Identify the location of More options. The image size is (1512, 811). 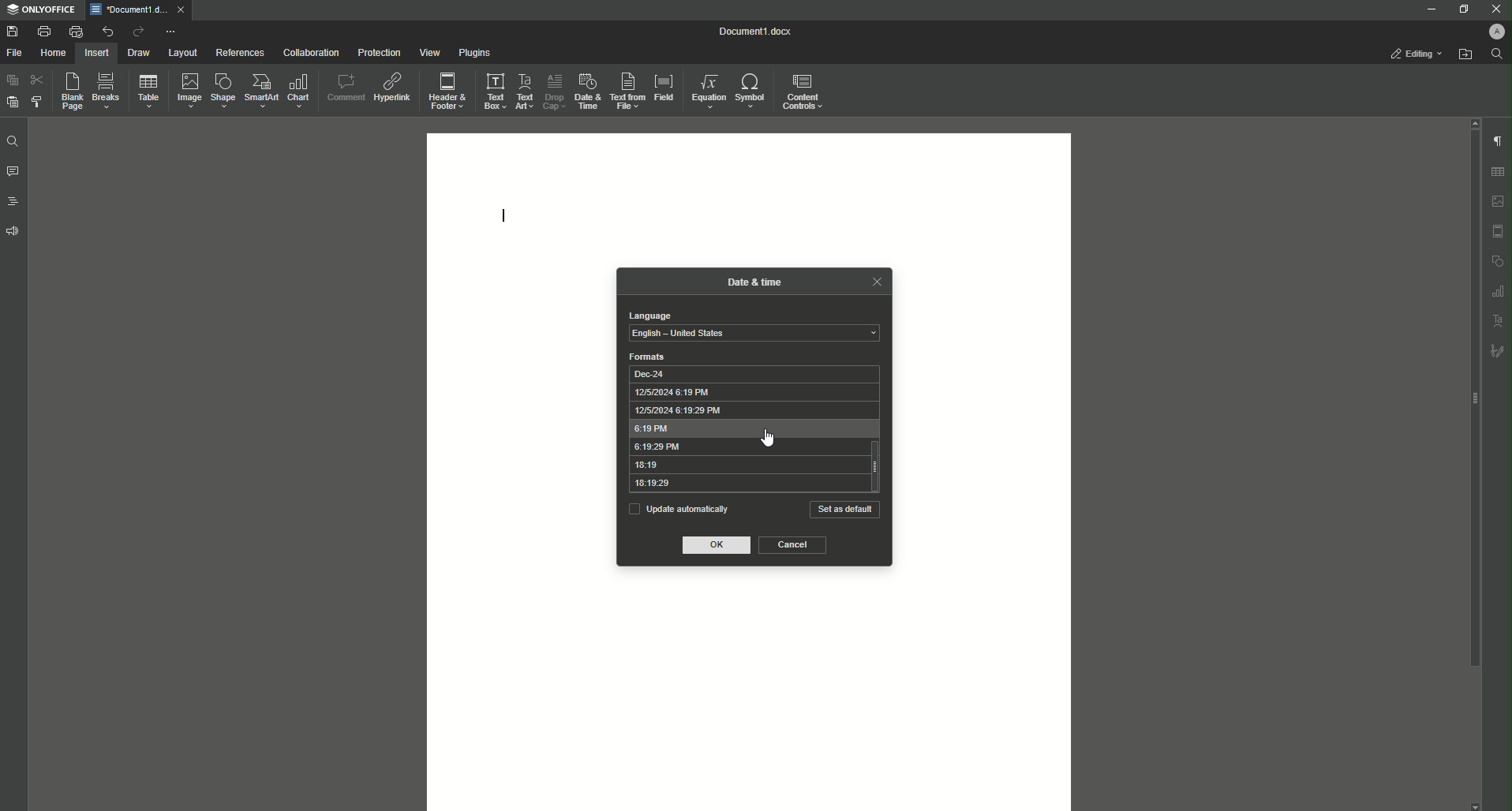
(172, 32).